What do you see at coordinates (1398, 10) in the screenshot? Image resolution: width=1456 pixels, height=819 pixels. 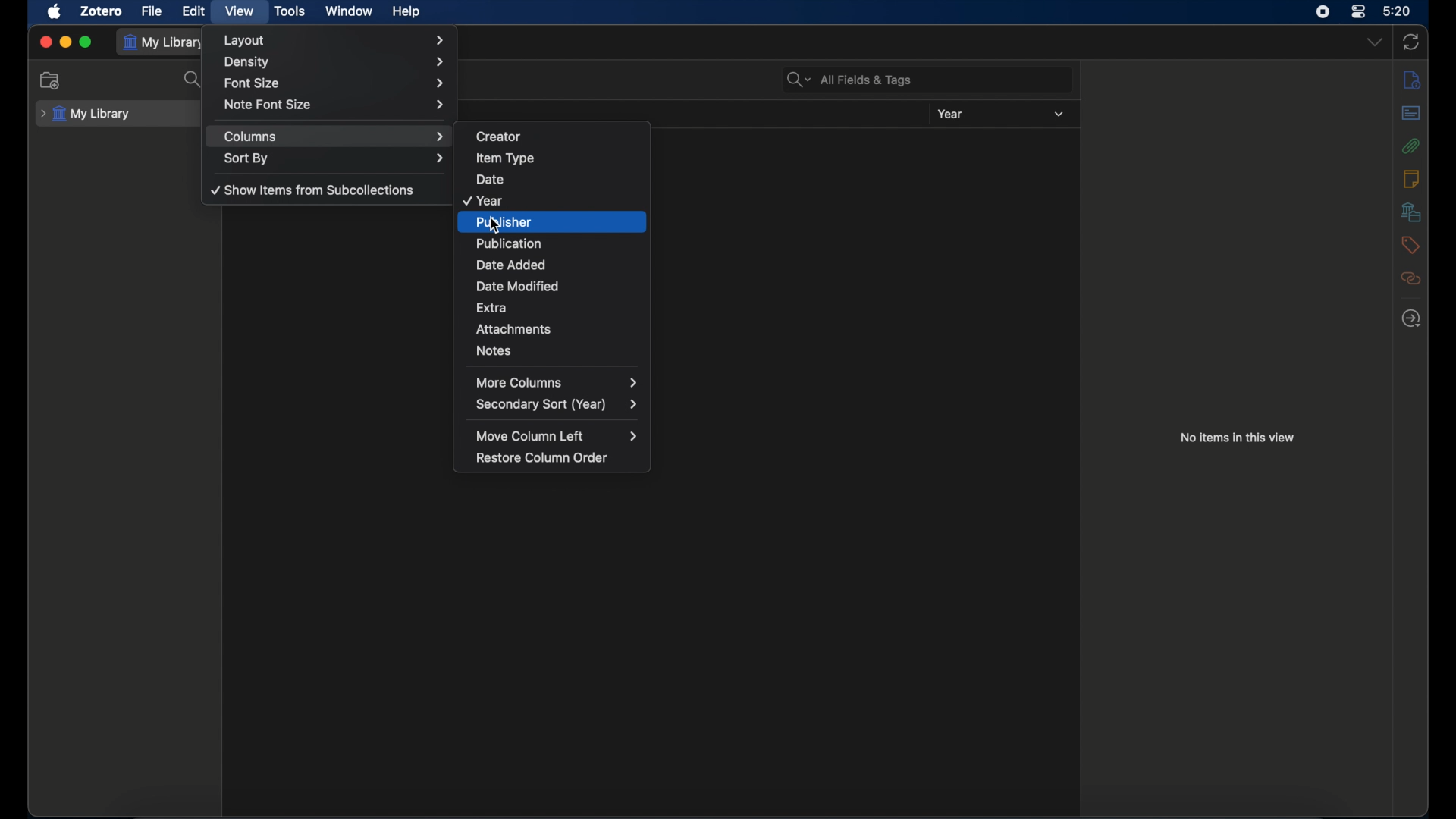 I see `time` at bounding box center [1398, 10].